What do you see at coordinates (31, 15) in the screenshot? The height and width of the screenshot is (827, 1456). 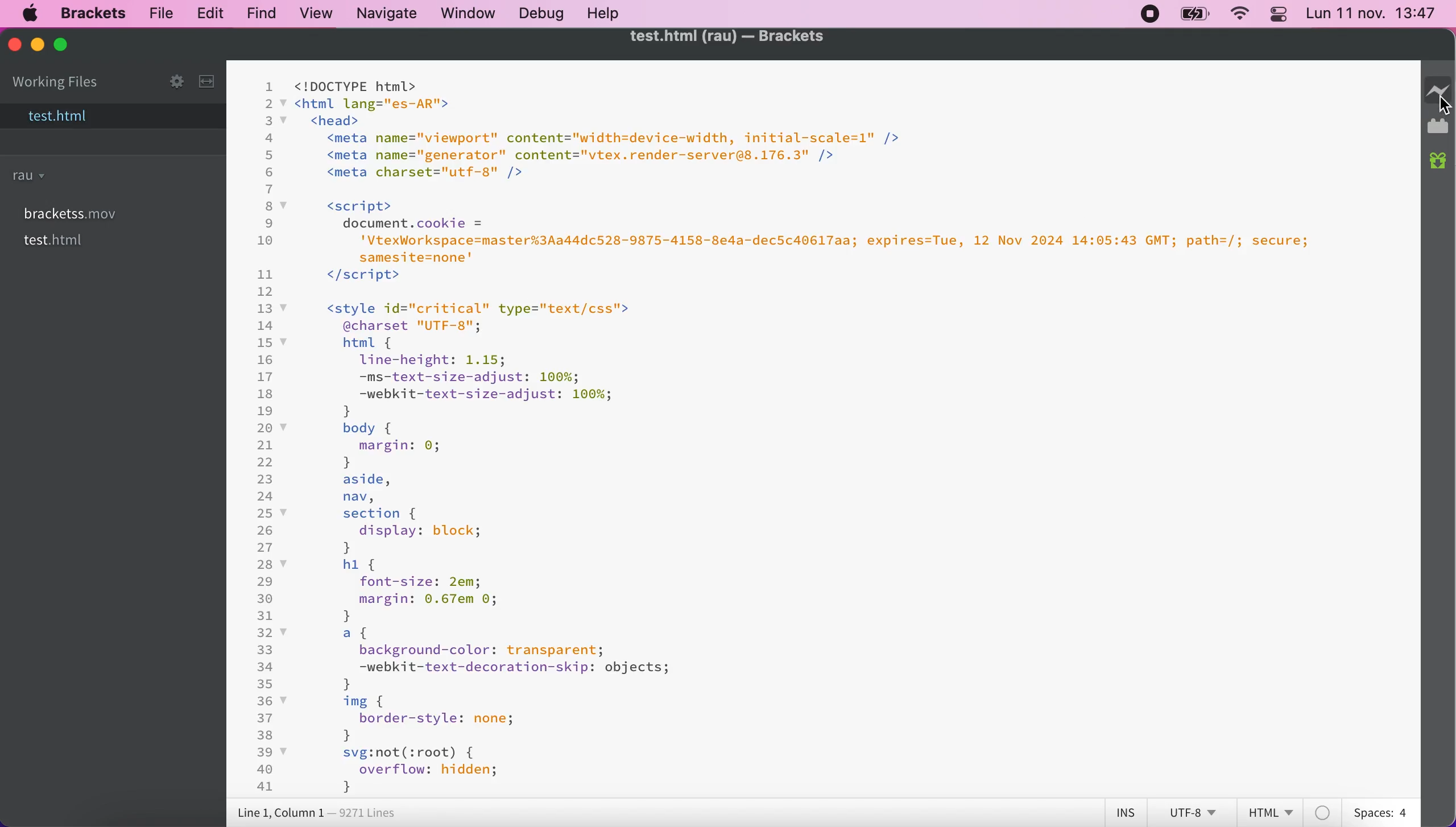 I see `mac logo` at bounding box center [31, 15].